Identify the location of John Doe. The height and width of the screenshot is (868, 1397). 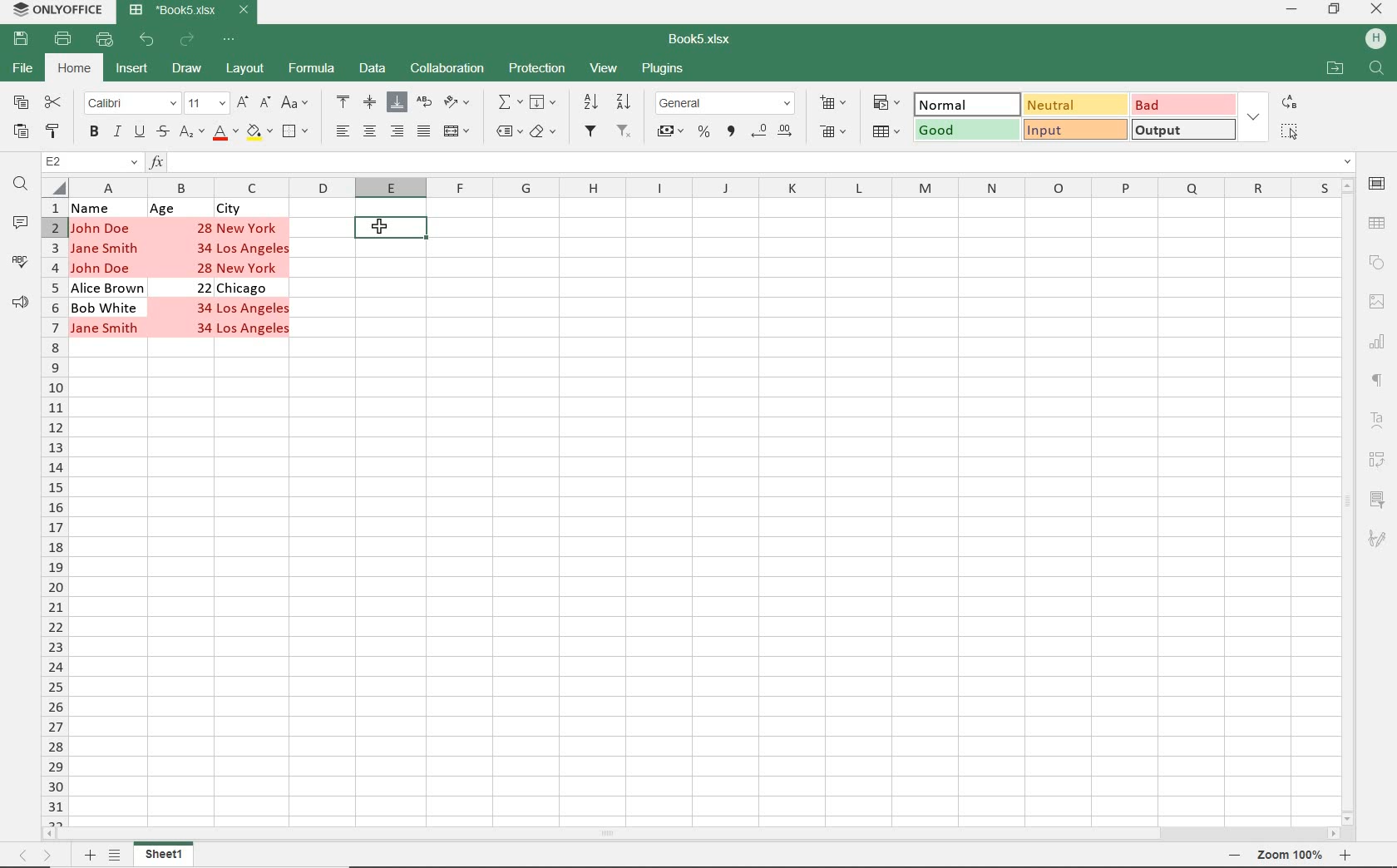
(105, 268).